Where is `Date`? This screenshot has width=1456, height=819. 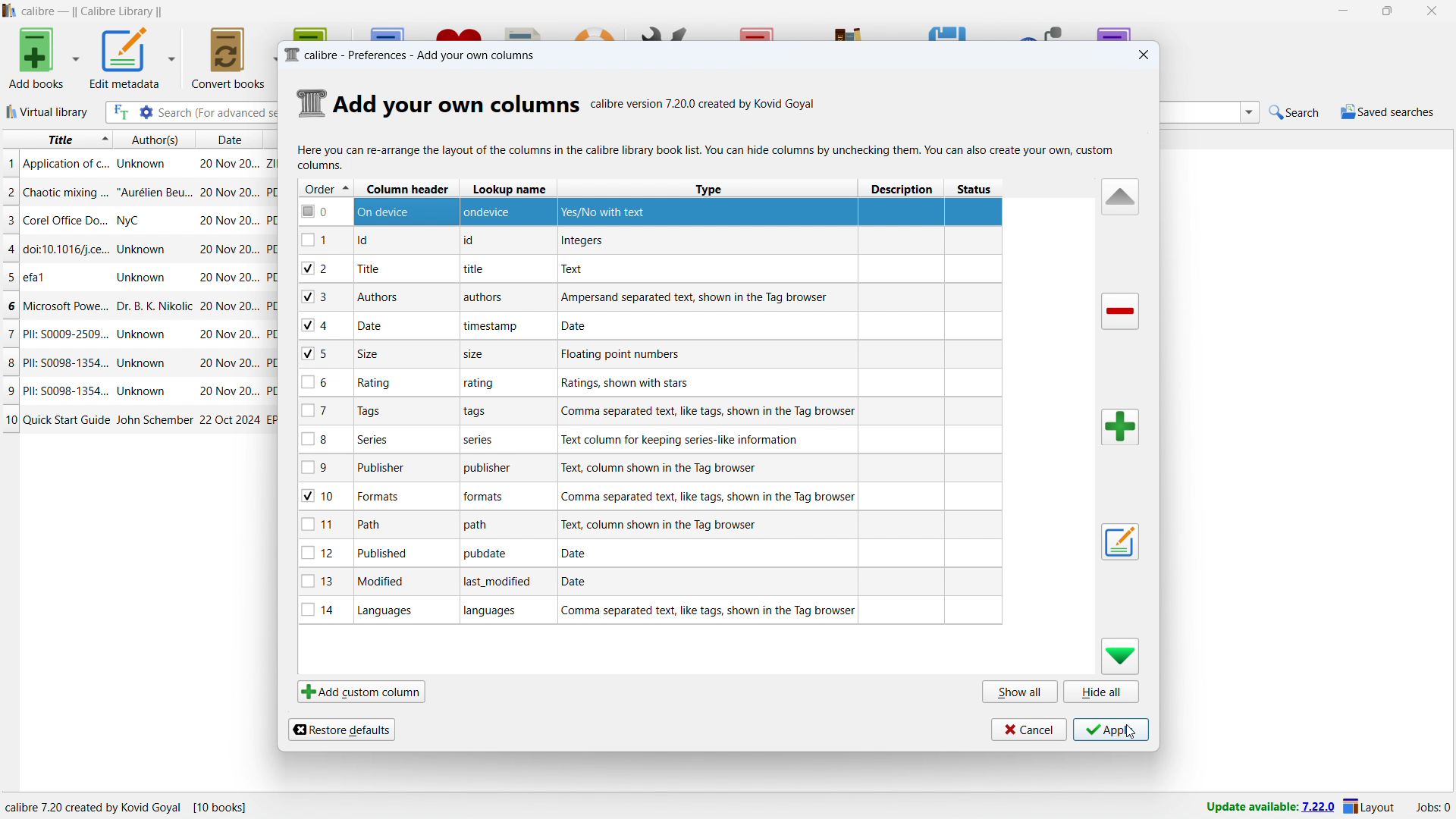 Date is located at coordinates (584, 325).